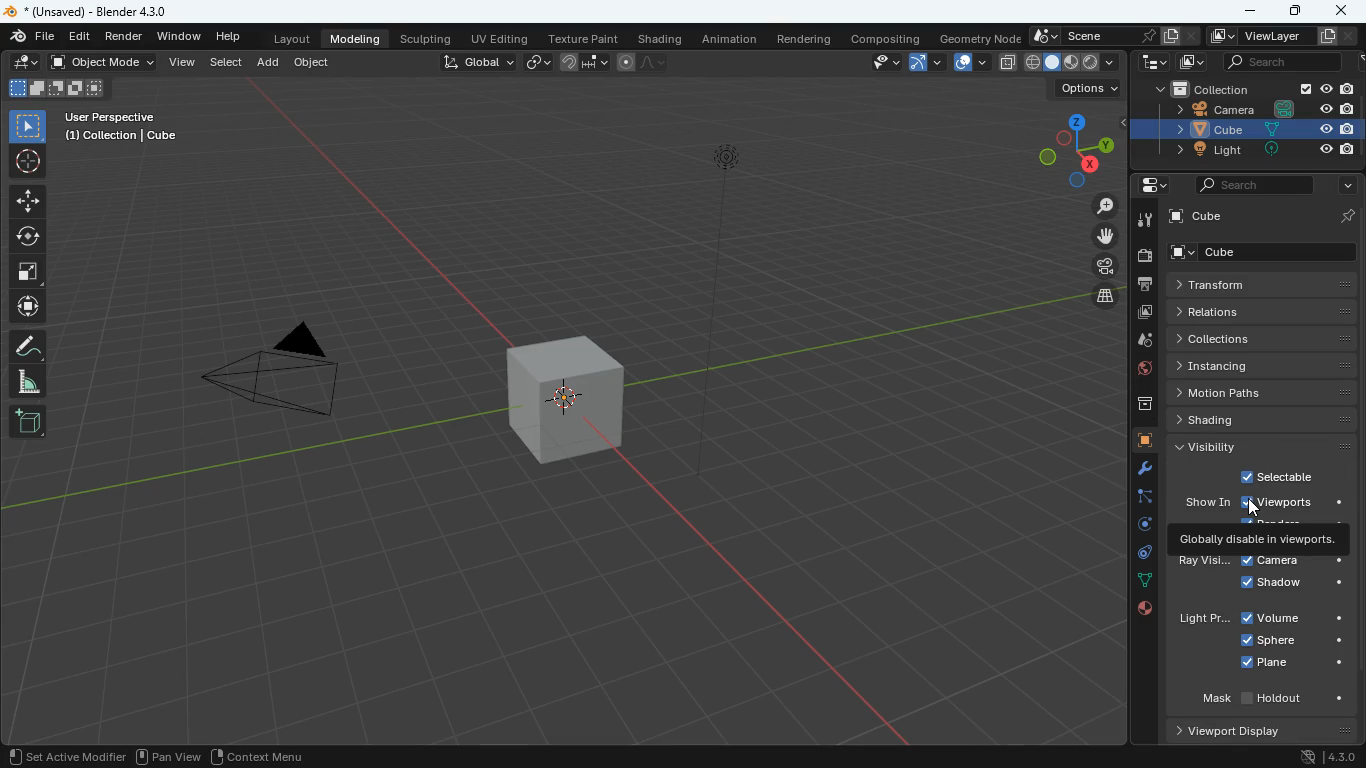 Image resolution: width=1366 pixels, height=768 pixels. I want to click on line, so click(642, 61).